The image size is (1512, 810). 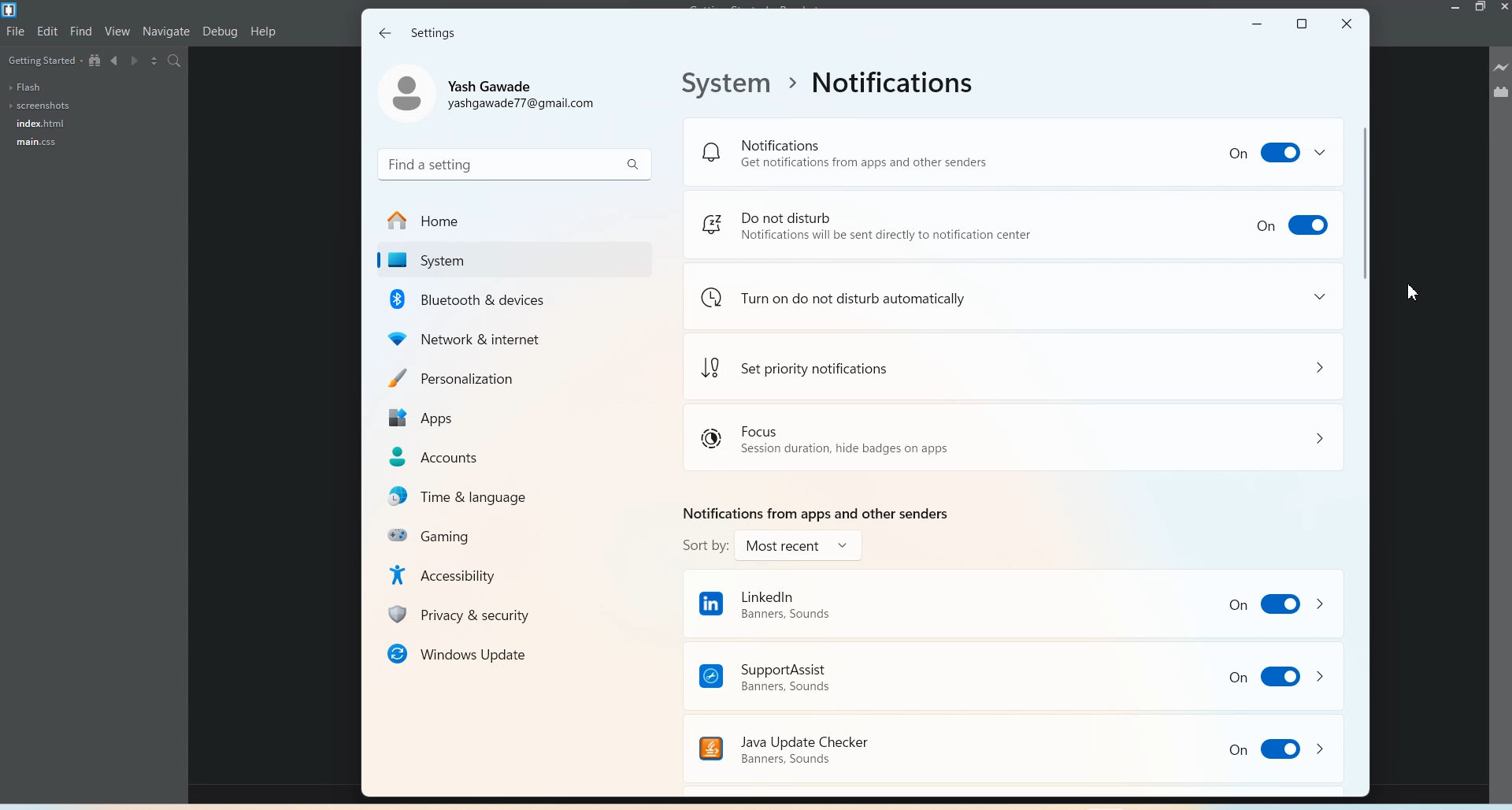 I want to click on Do not disturb, so click(x=954, y=225).